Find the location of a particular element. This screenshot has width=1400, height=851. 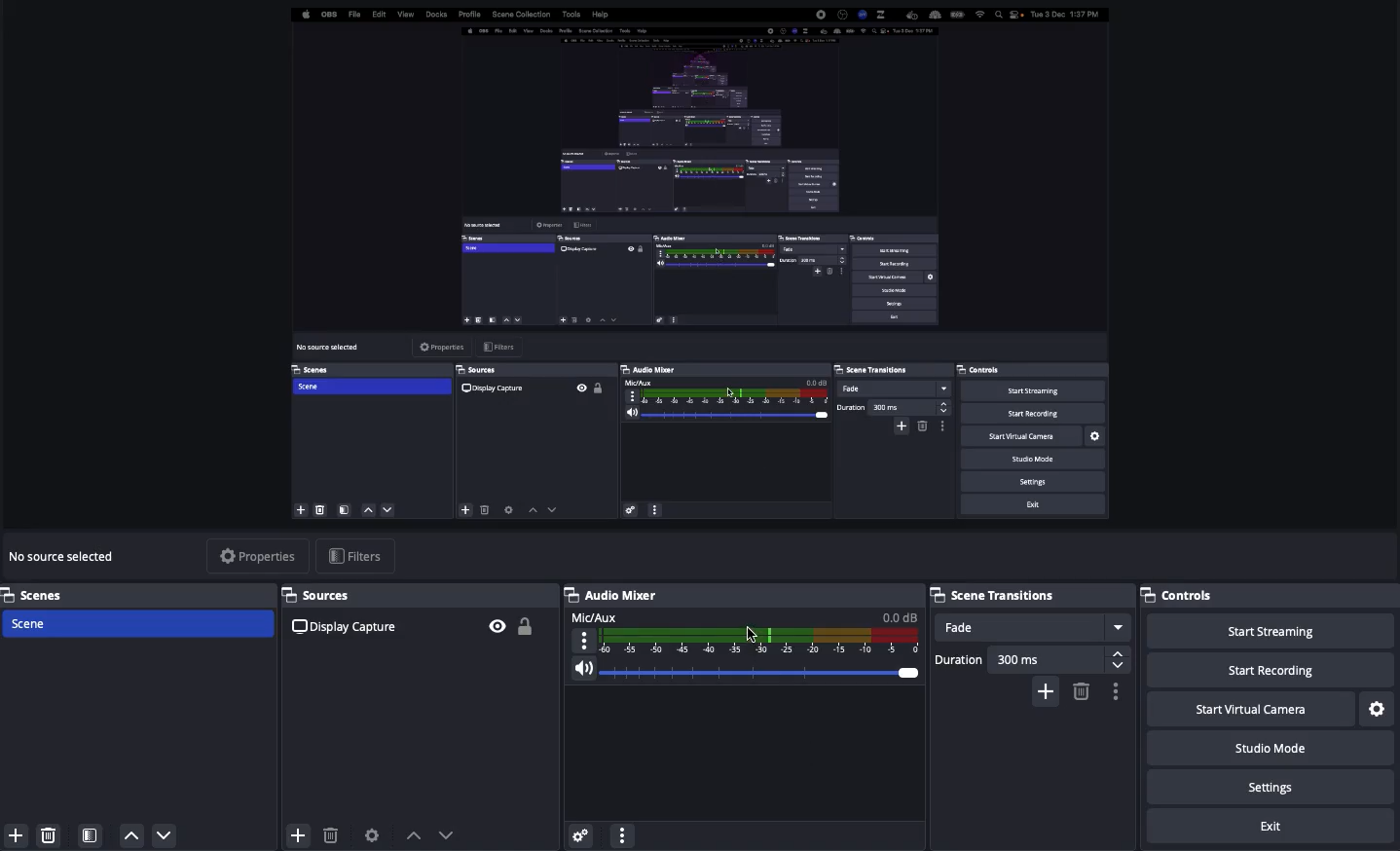

Move down is located at coordinates (447, 834).